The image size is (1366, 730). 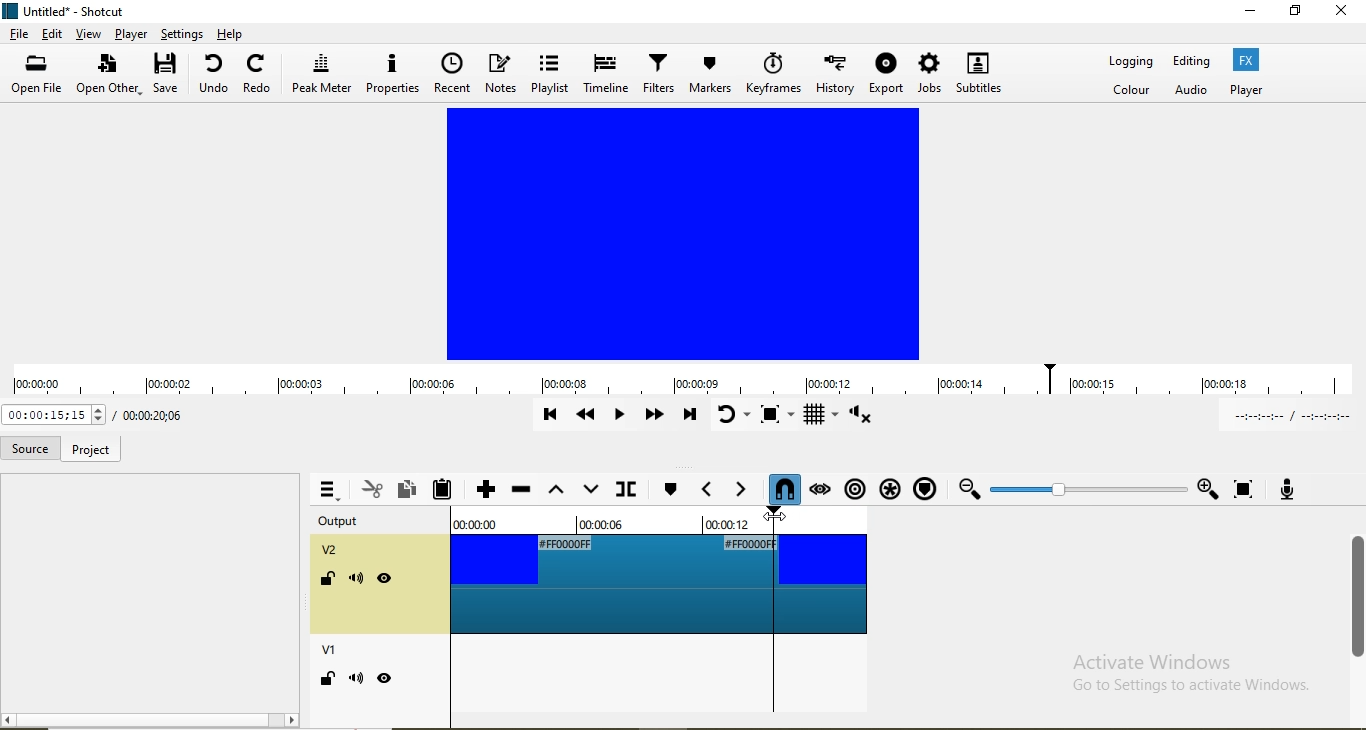 I want to click on Append, so click(x=485, y=491).